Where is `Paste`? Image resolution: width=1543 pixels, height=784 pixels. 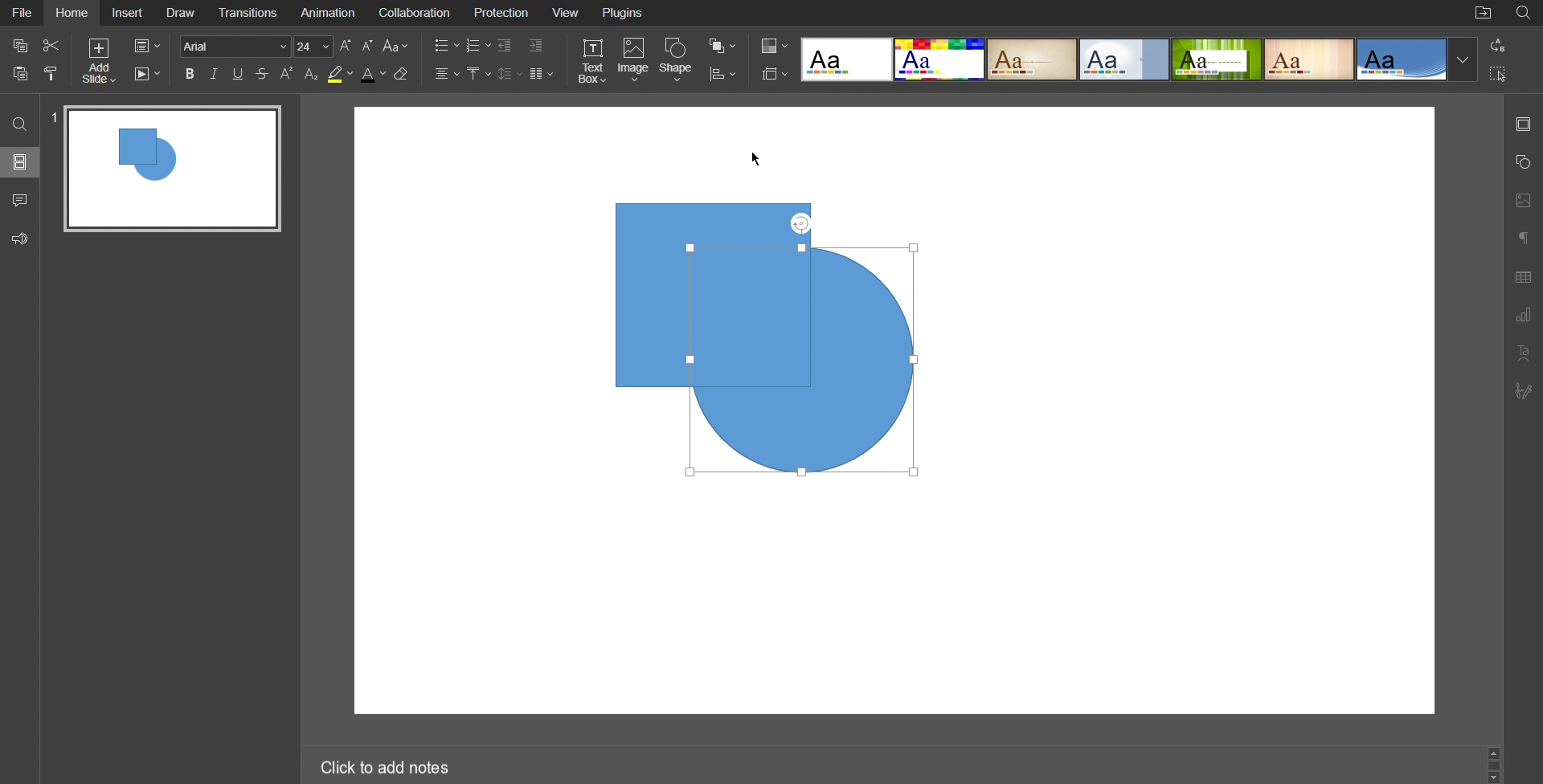 Paste is located at coordinates (18, 76).